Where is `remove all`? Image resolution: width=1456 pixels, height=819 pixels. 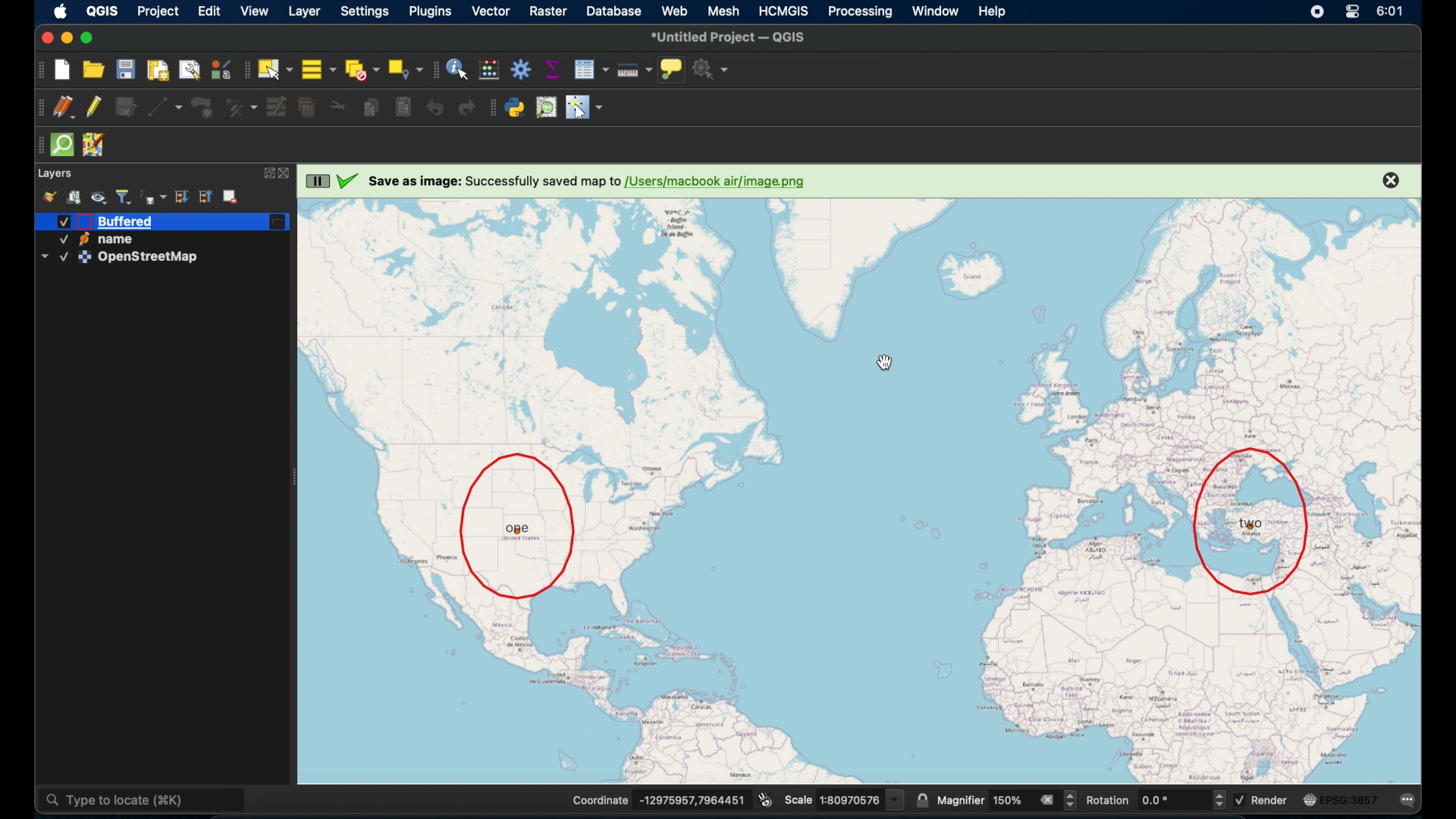 remove all is located at coordinates (1046, 799).